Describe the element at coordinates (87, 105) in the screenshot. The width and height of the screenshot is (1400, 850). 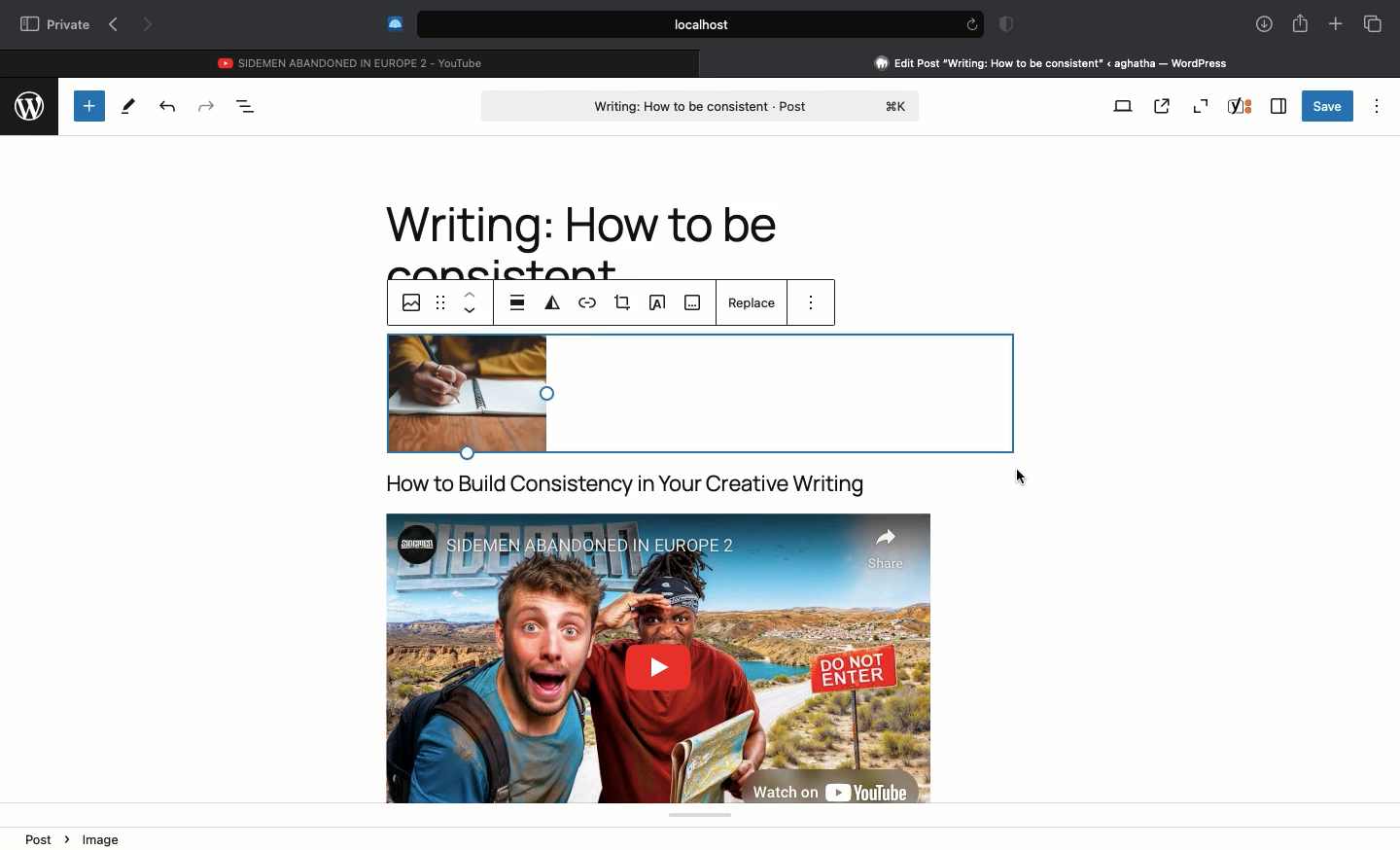
I see `Add new block` at that location.